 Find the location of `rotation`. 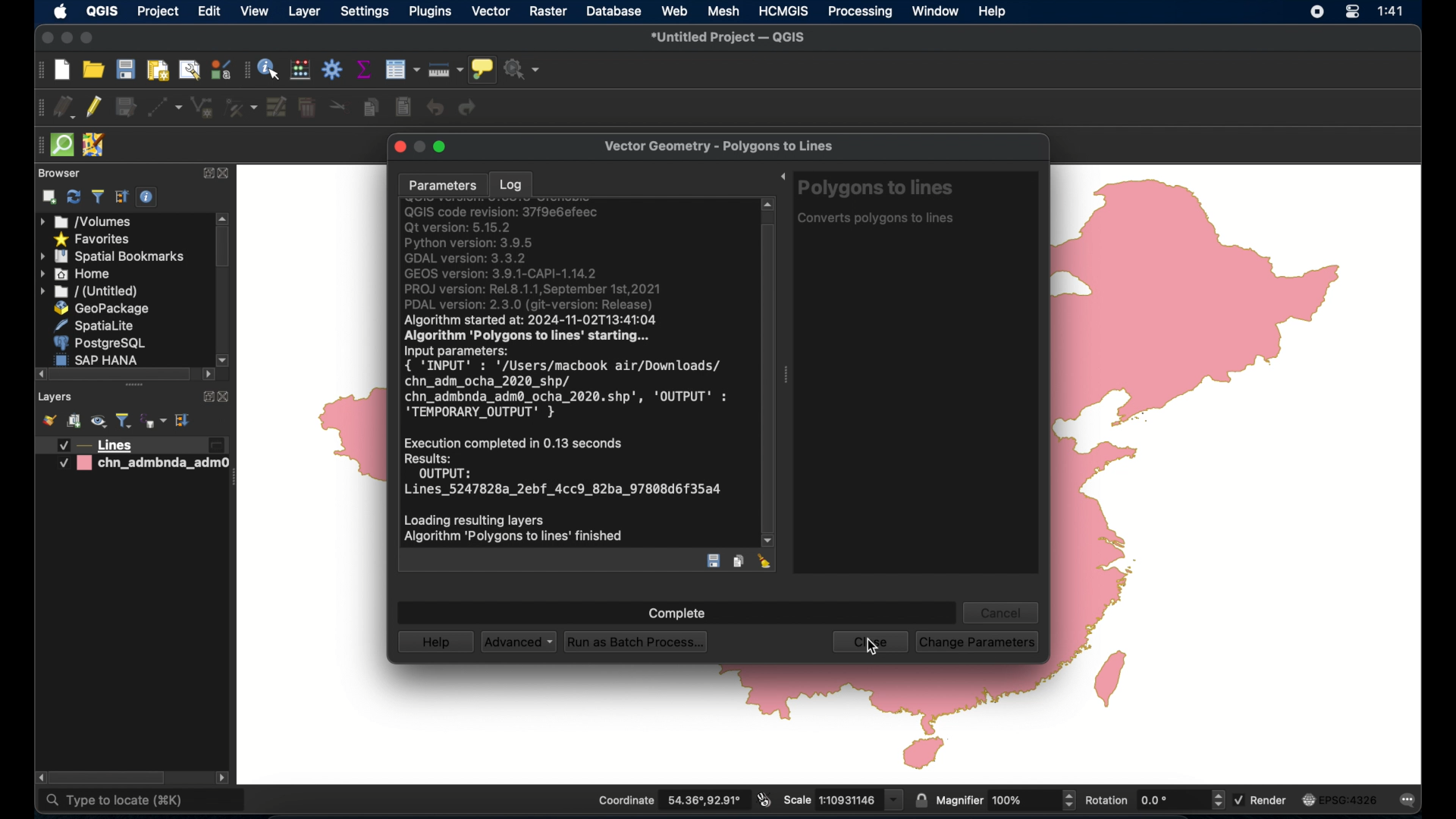

rotation is located at coordinates (1153, 799).